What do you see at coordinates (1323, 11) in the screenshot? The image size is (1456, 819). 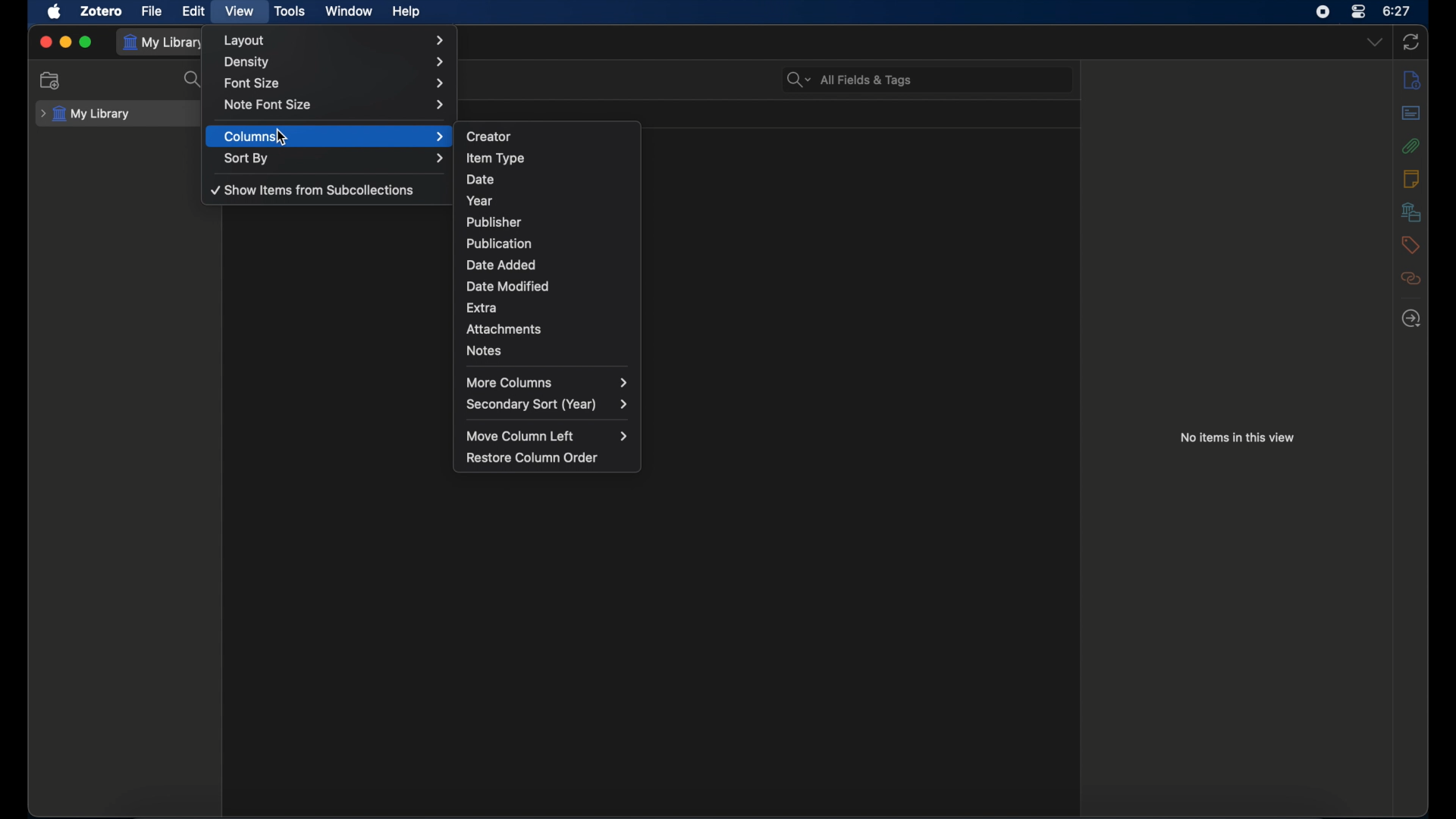 I see `screen recorder` at bounding box center [1323, 11].